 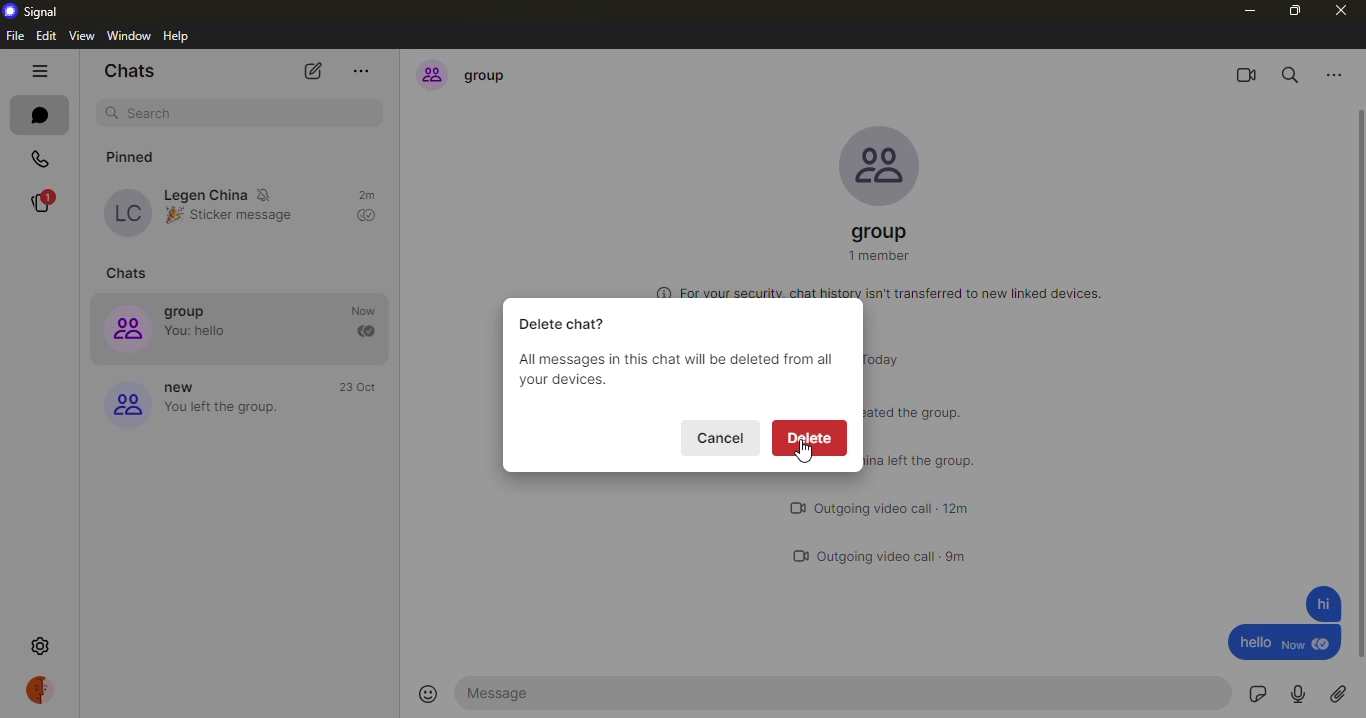 What do you see at coordinates (155, 111) in the screenshot?
I see `search` at bounding box center [155, 111].